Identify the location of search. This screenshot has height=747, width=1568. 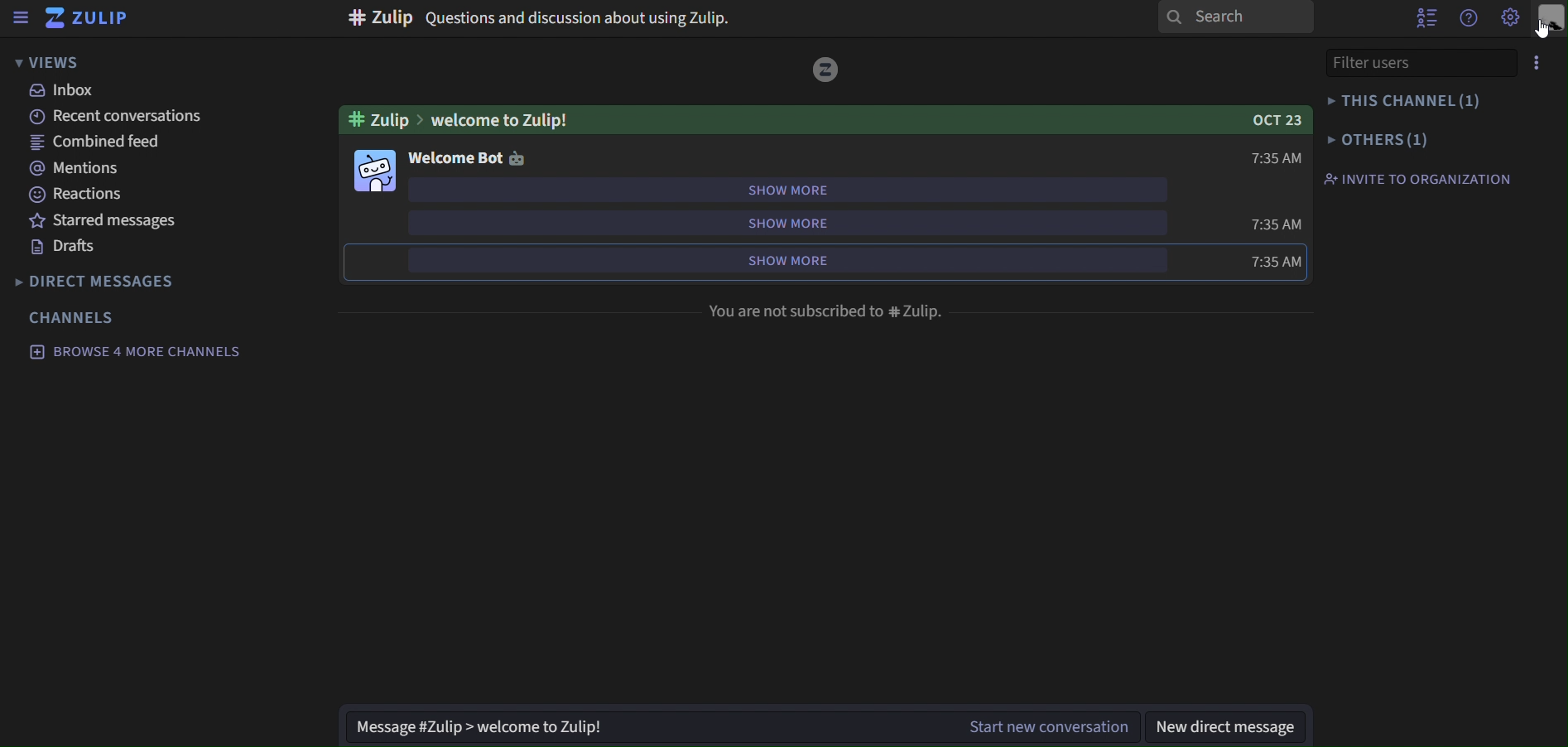
(1236, 17).